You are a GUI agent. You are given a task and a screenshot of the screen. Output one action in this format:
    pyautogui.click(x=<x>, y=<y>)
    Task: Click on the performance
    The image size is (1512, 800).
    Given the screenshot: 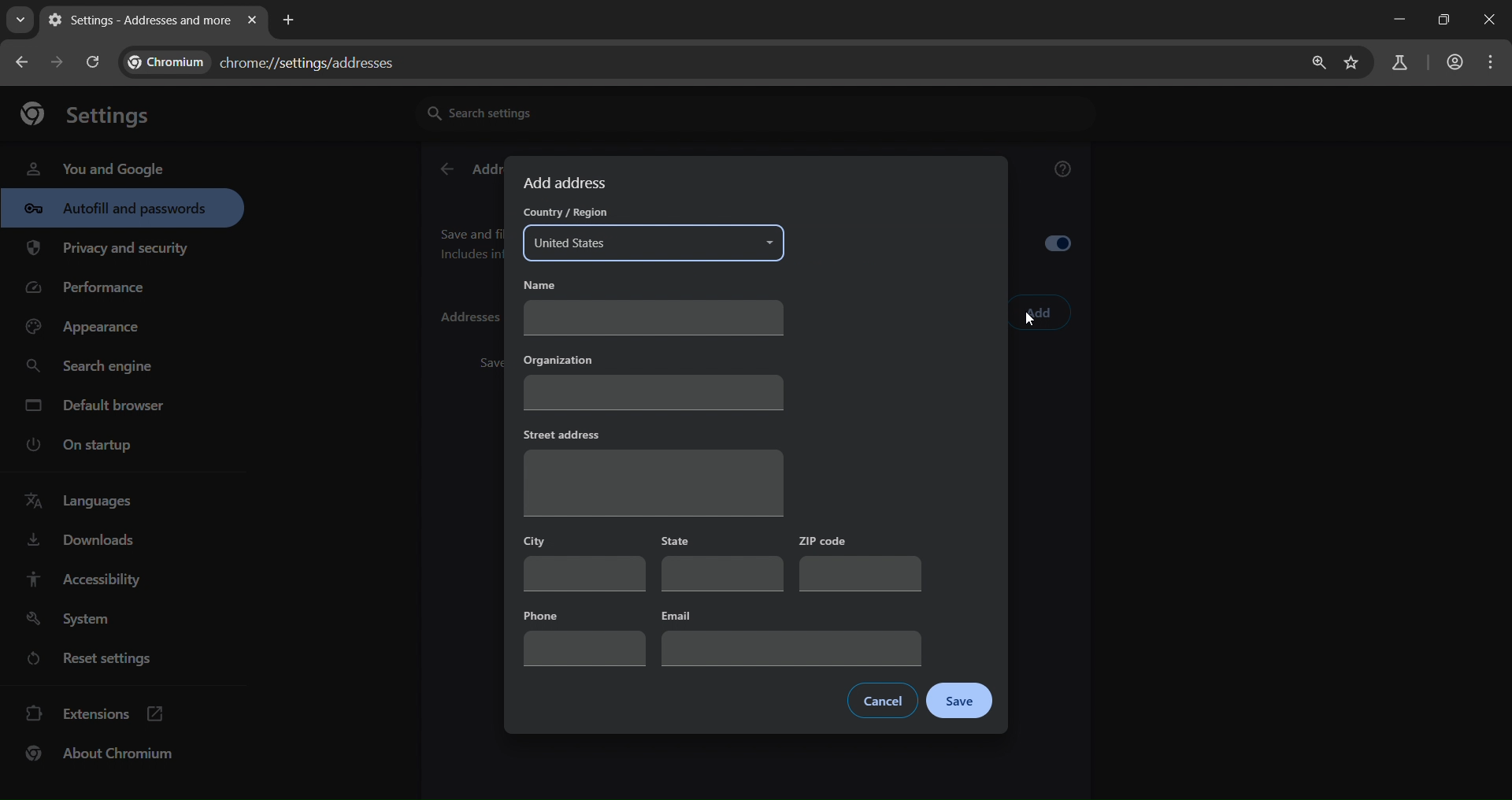 What is the action you would take?
    pyautogui.click(x=91, y=291)
    